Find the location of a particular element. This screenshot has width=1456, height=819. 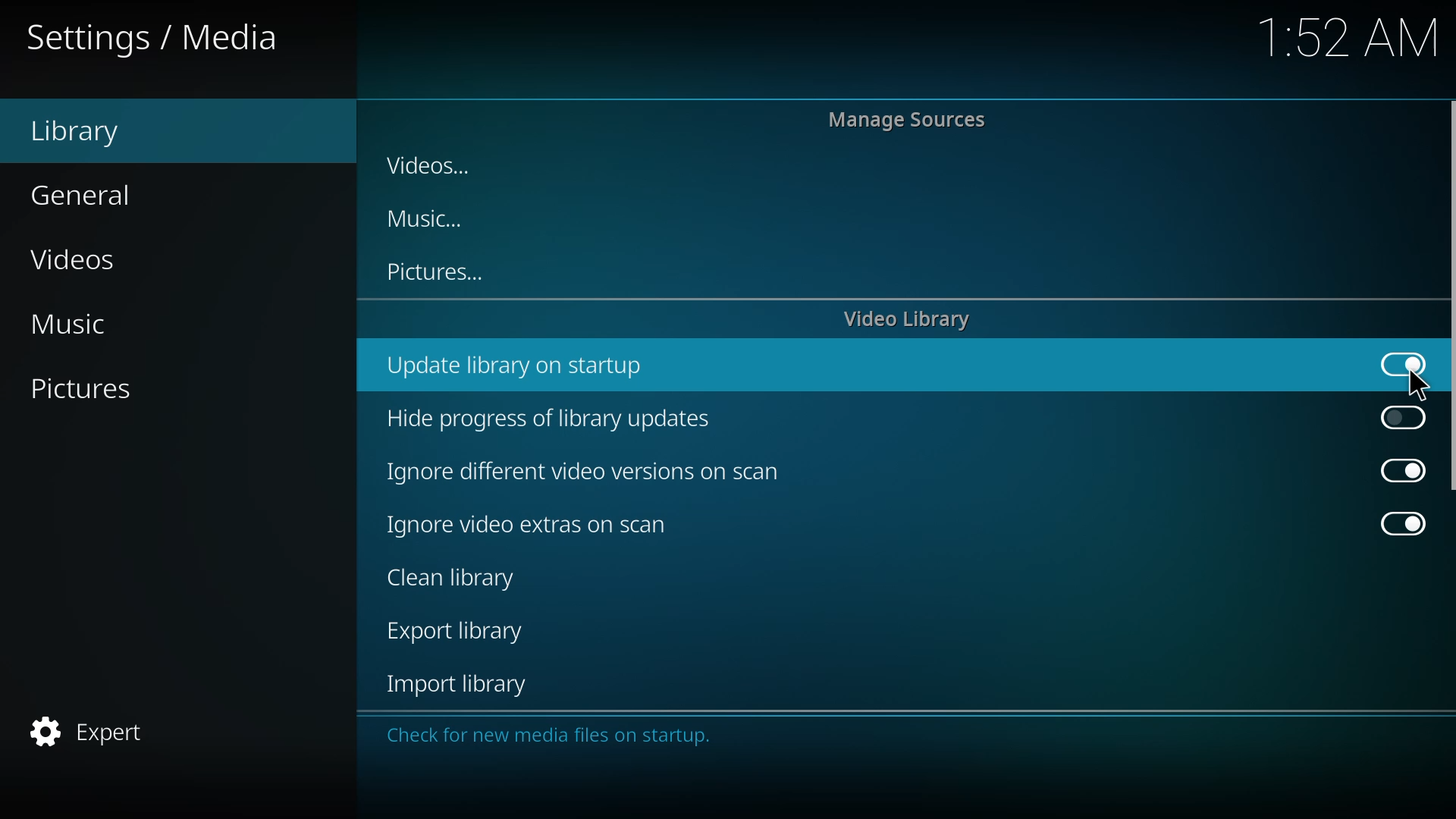

hide progress of library updates is located at coordinates (554, 419).